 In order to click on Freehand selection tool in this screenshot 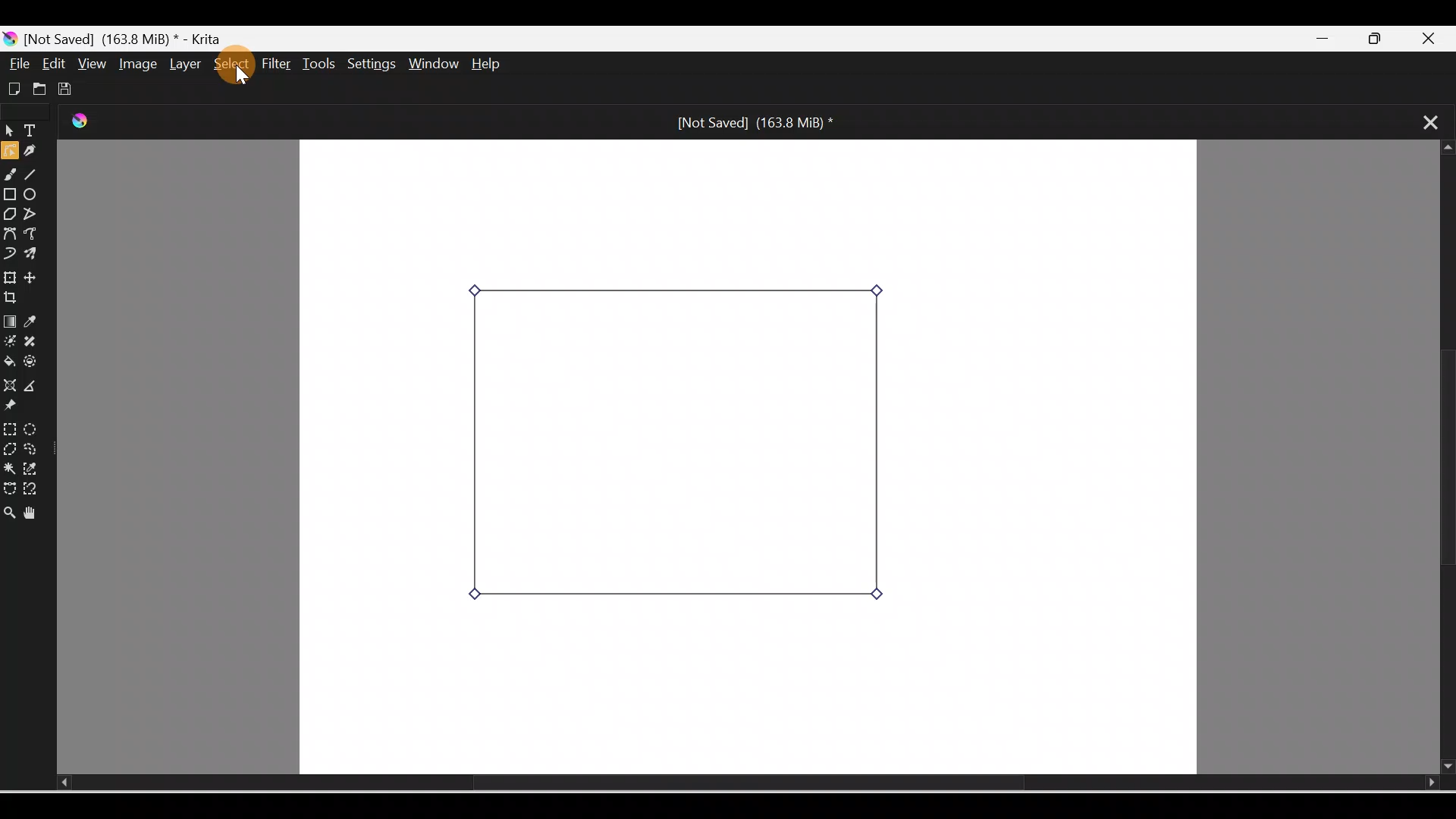, I will do `click(35, 449)`.